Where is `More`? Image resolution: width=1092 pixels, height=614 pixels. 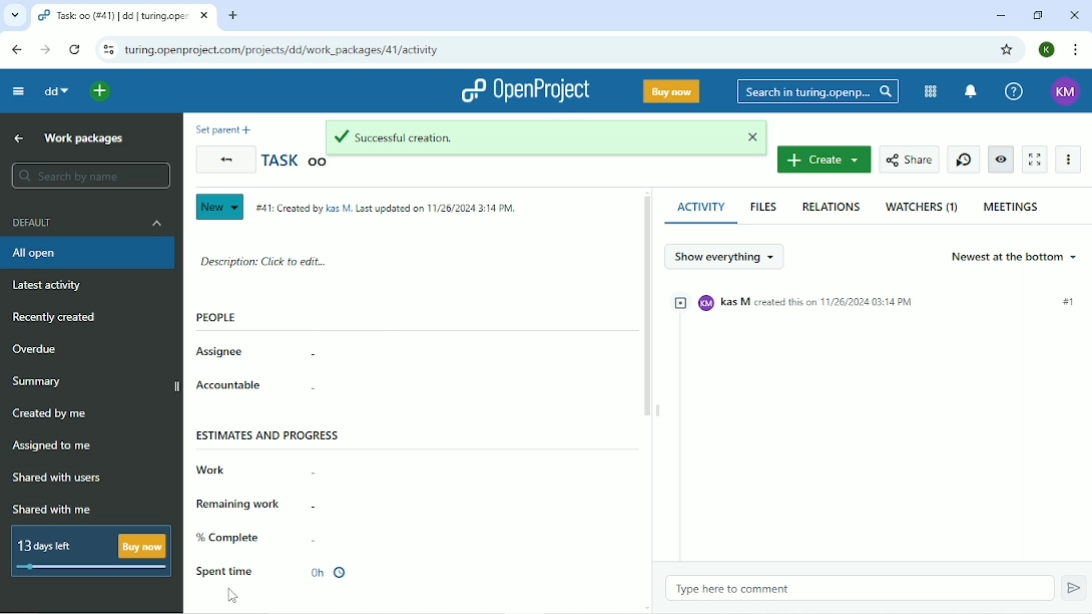
More is located at coordinates (1069, 159).